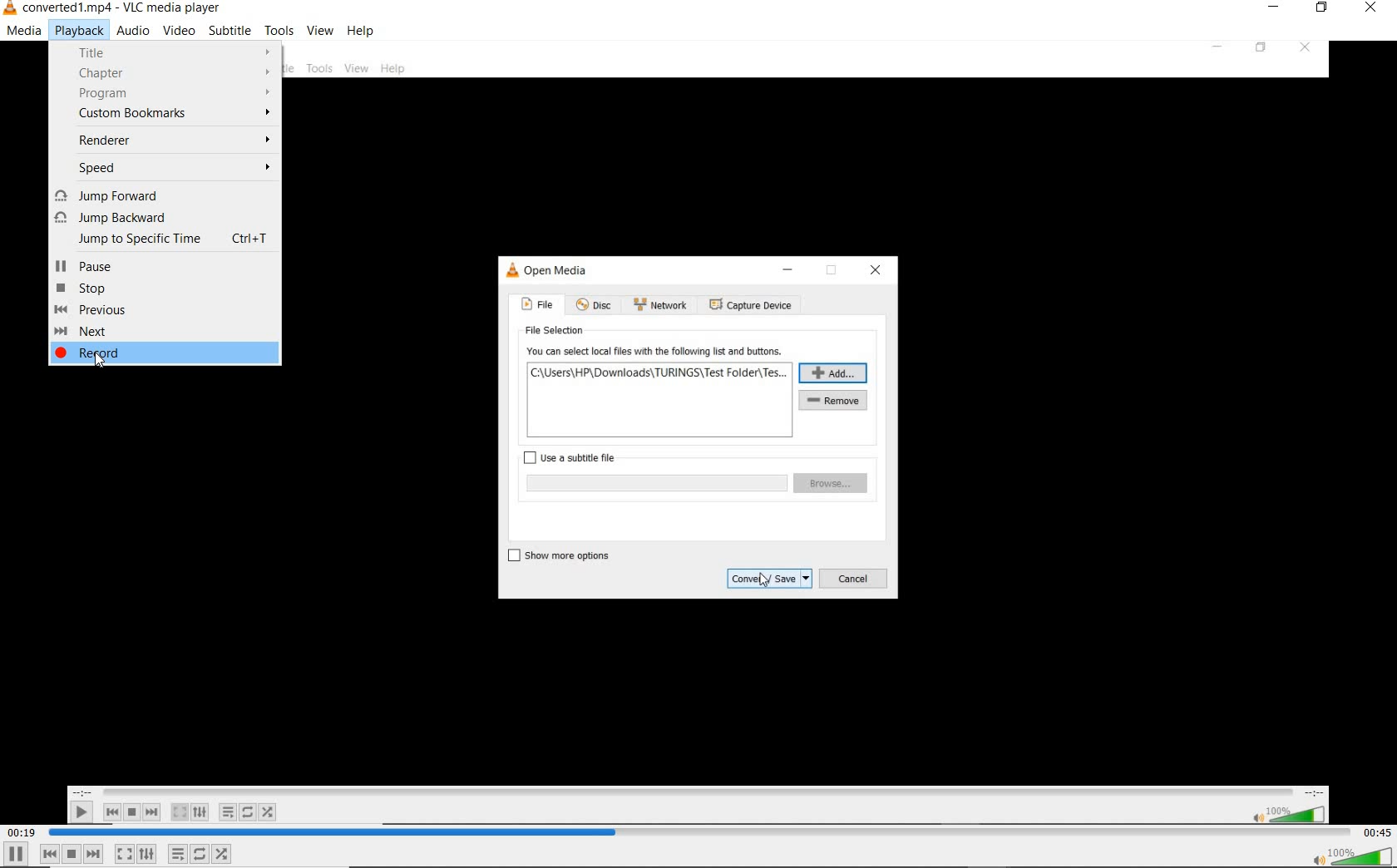 The image size is (1397, 868). What do you see at coordinates (321, 29) in the screenshot?
I see `view` at bounding box center [321, 29].